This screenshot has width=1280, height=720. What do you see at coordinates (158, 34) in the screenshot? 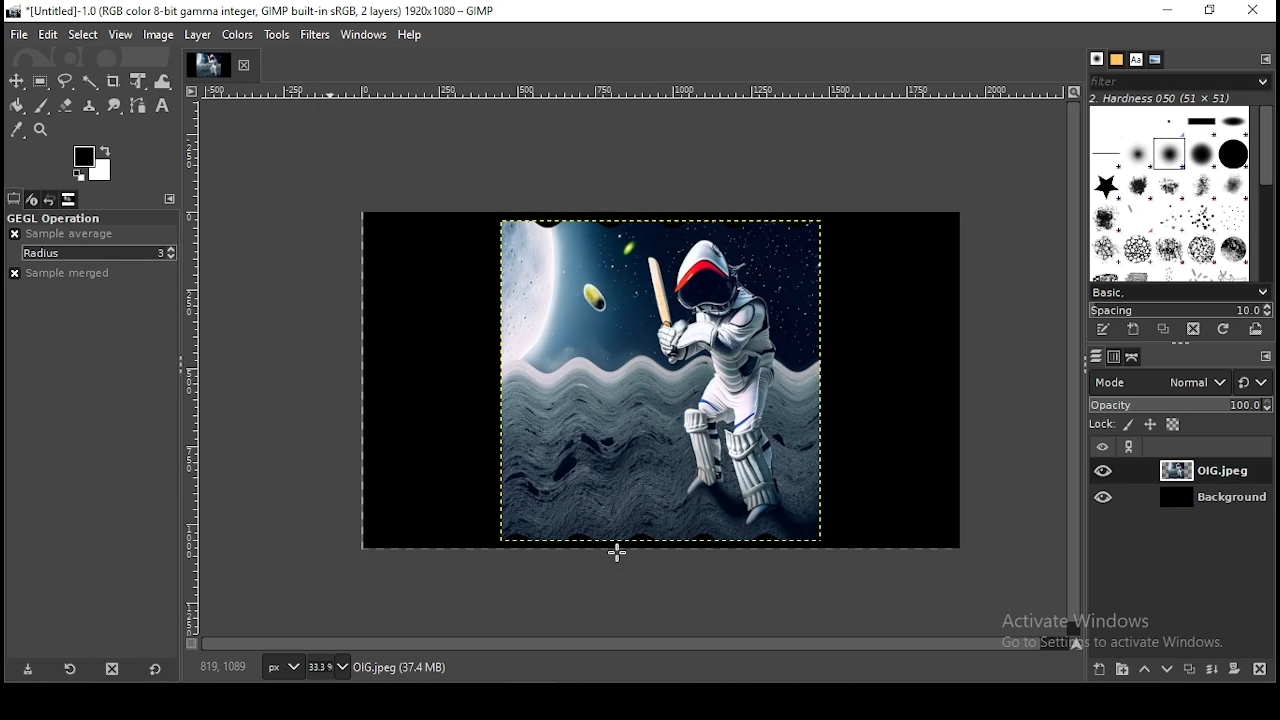
I see `image` at bounding box center [158, 34].